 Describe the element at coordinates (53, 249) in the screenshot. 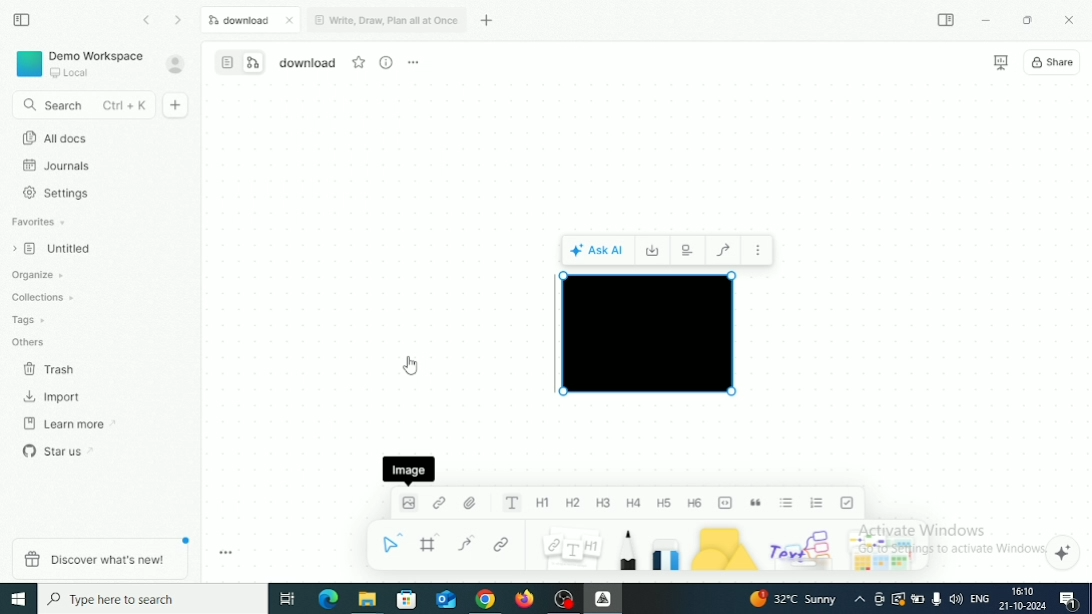

I see `Untitled` at that location.